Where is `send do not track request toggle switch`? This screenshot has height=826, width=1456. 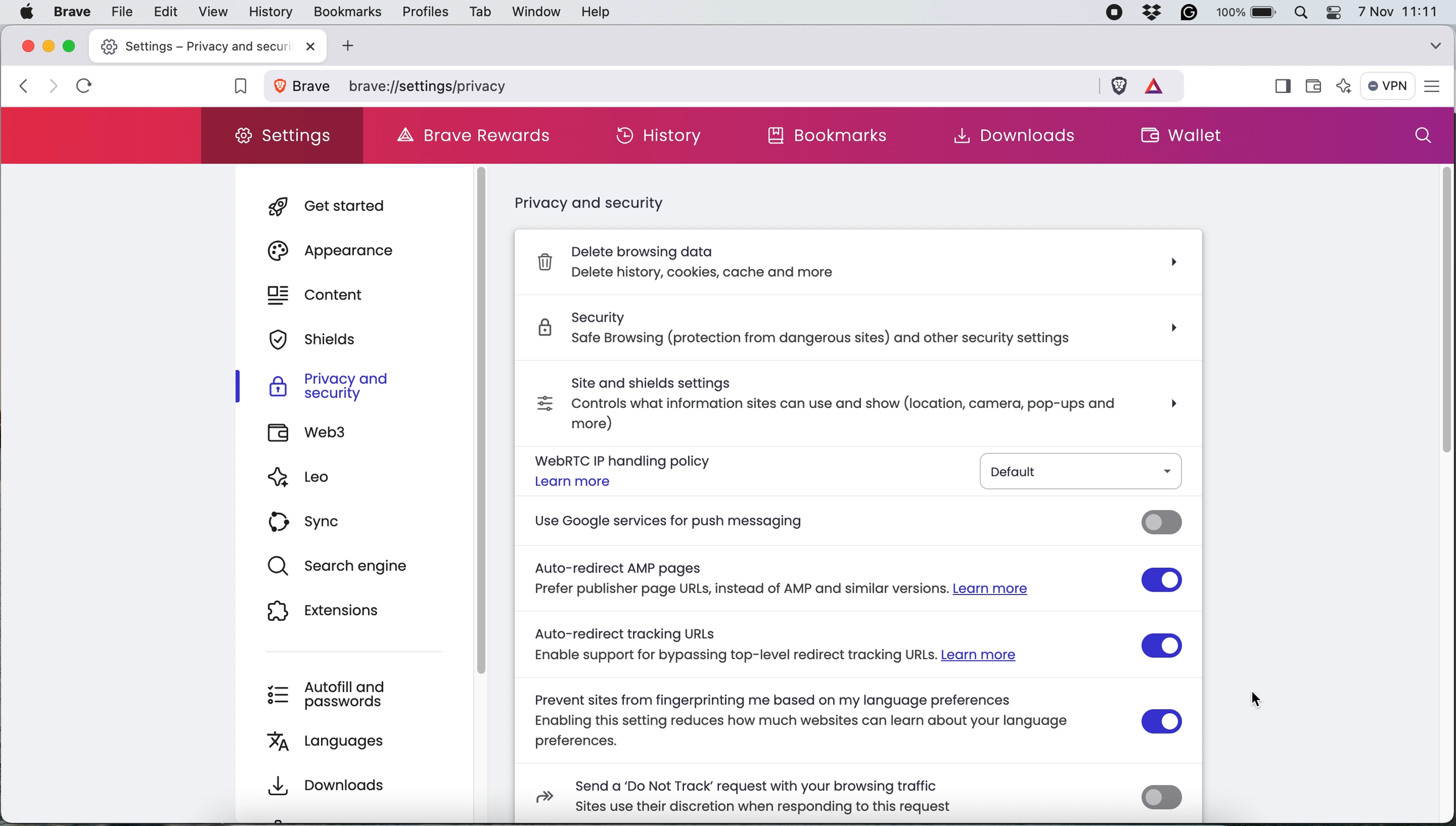 send do not track request toggle switch is located at coordinates (1162, 796).